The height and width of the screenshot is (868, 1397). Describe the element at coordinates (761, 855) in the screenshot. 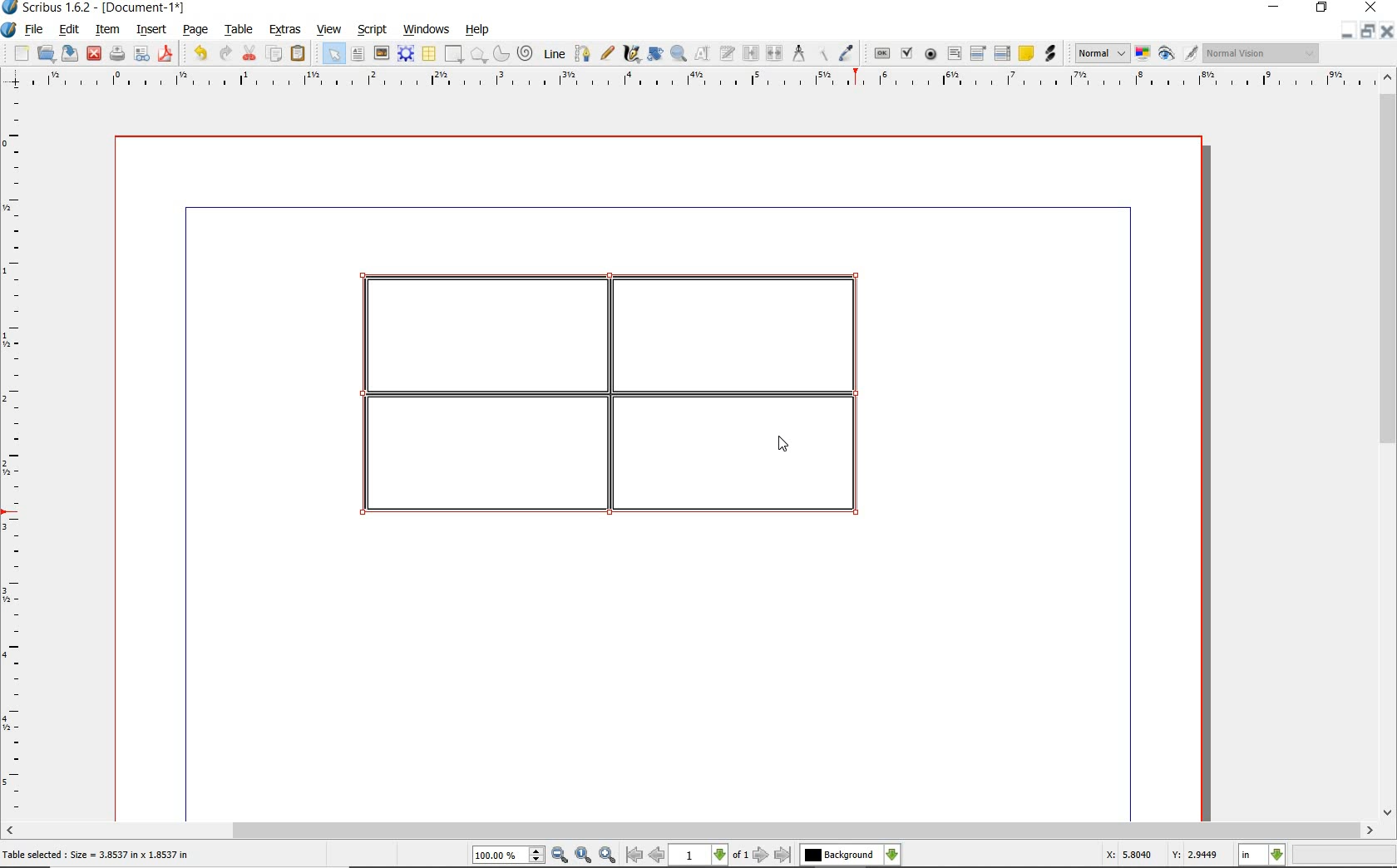

I see `go to next page` at that location.